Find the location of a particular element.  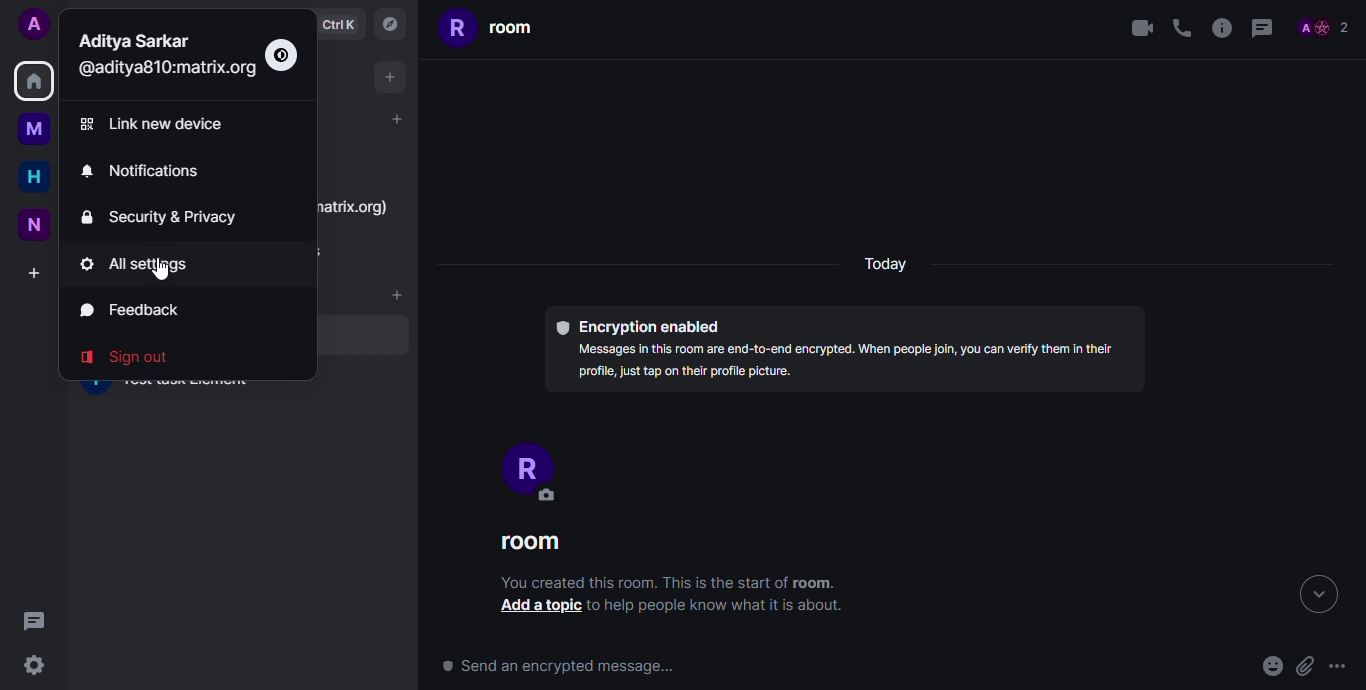

today is located at coordinates (888, 261).